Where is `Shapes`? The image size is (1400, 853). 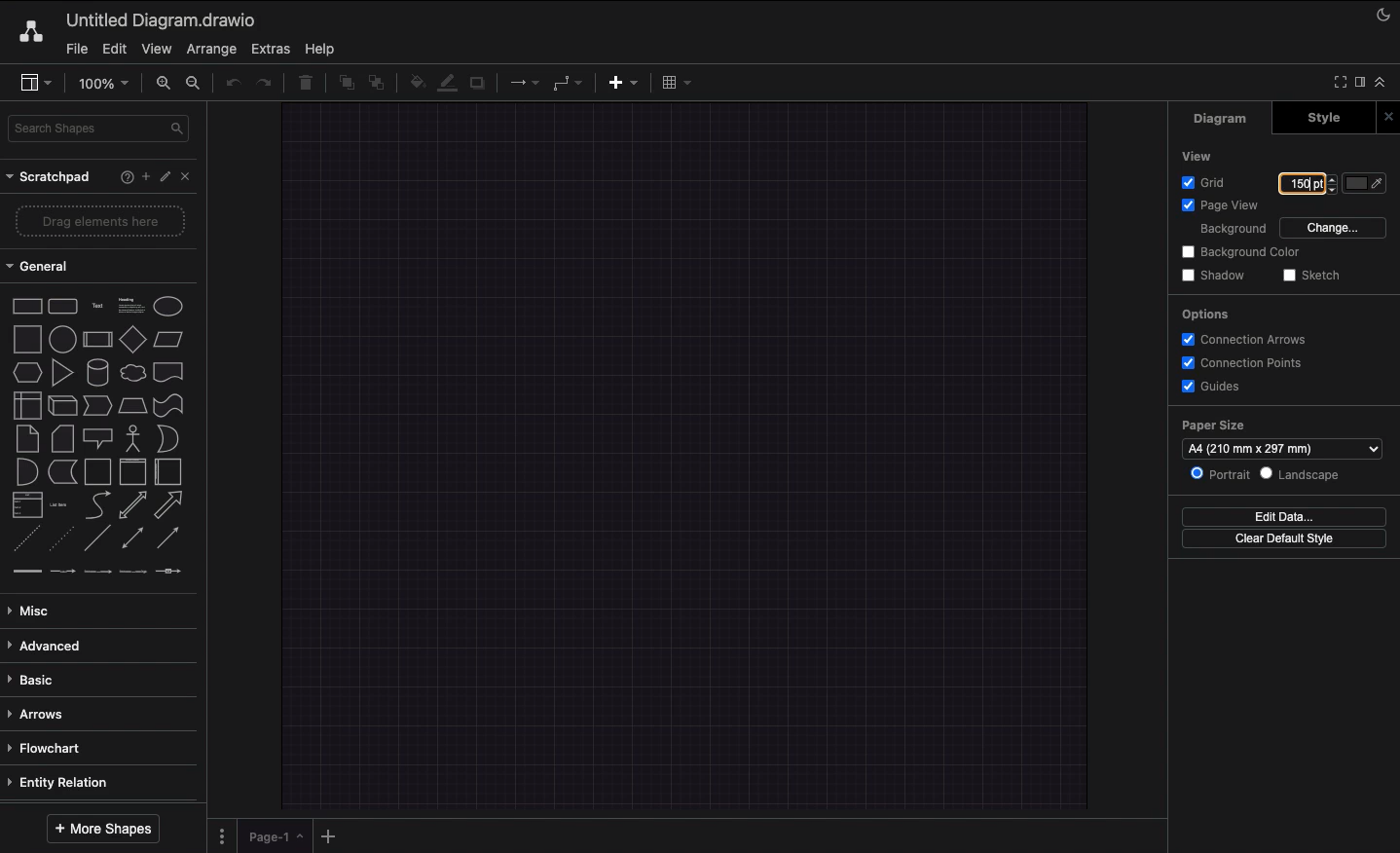
Shapes is located at coordinates (100, 434).